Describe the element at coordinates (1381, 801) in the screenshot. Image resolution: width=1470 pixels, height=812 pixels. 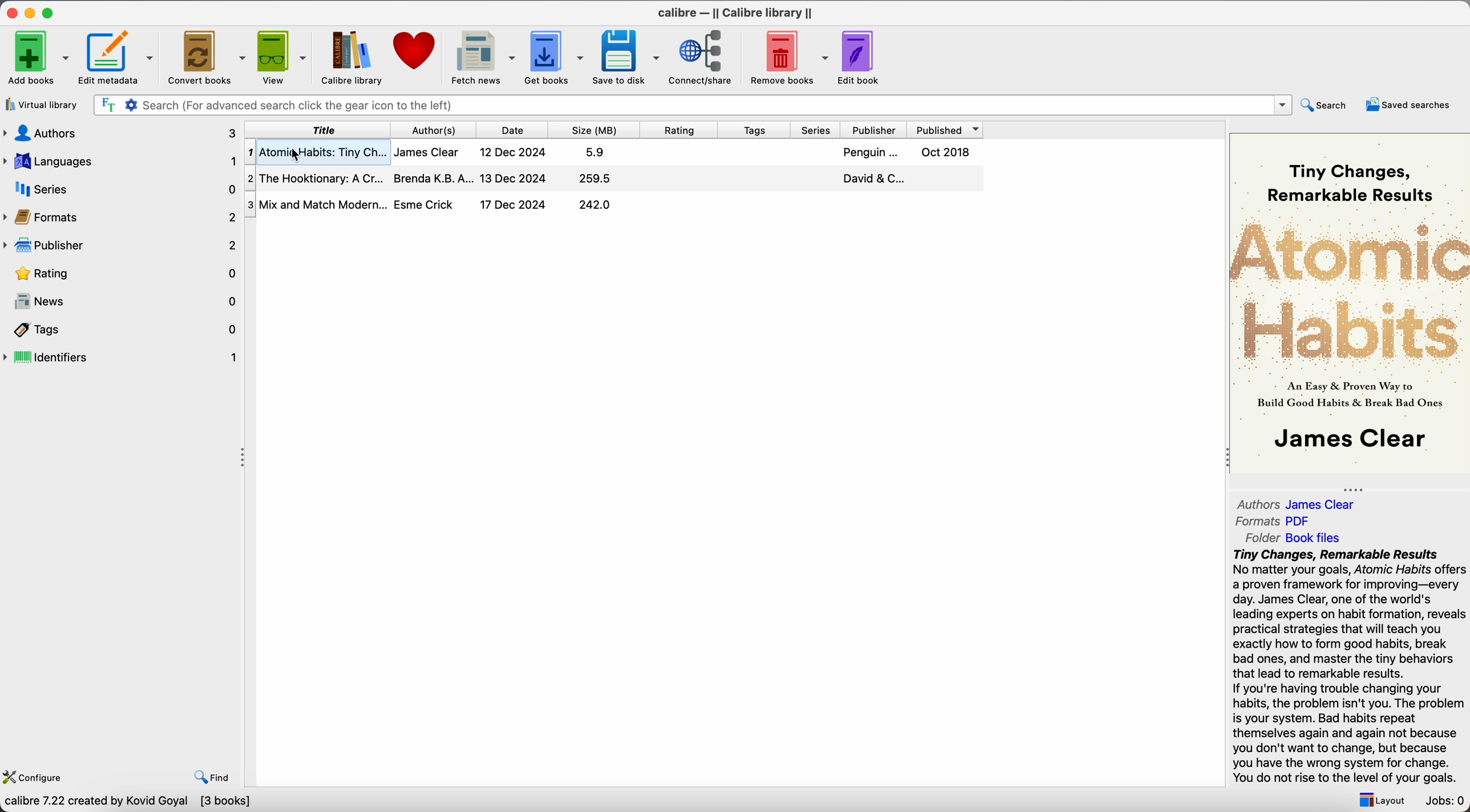
I see `layout` at that location.